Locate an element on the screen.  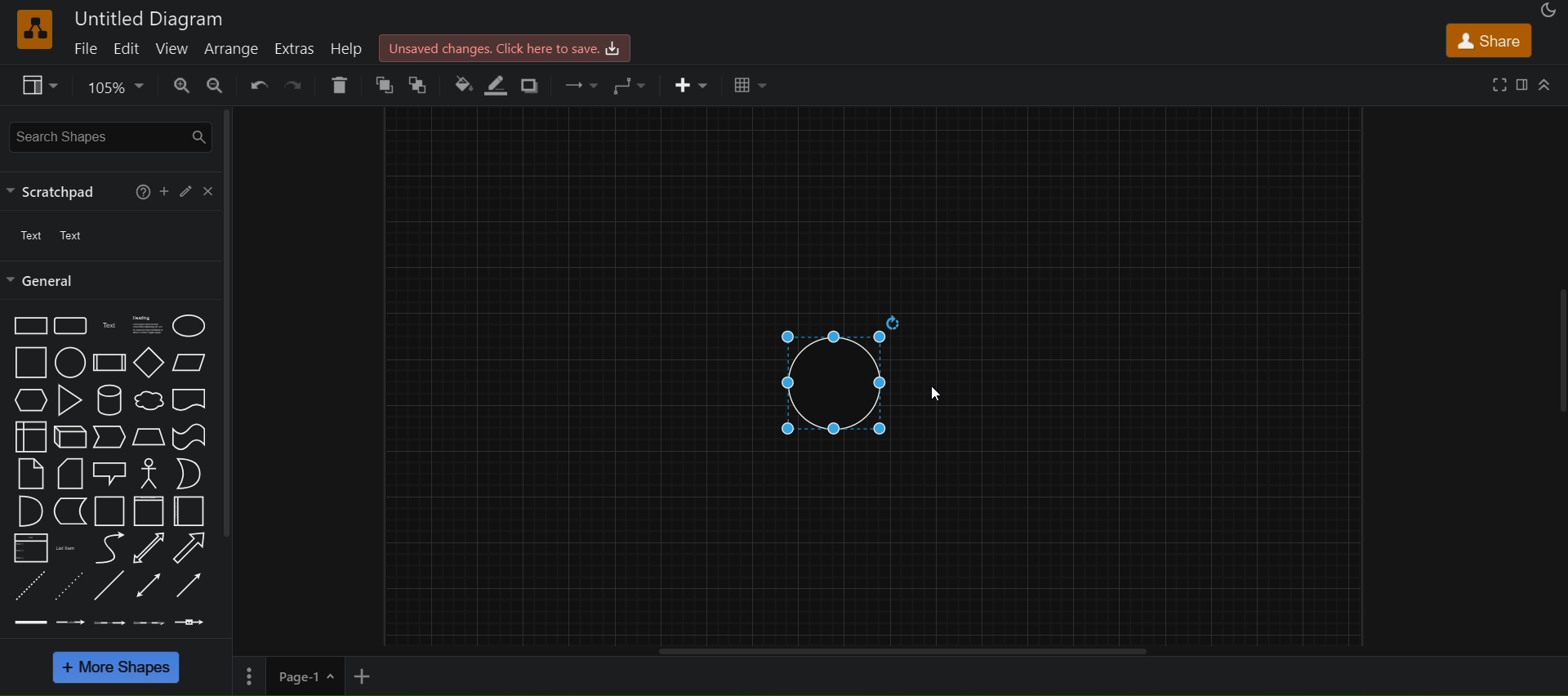
edit is located at coordinates (184, 193).